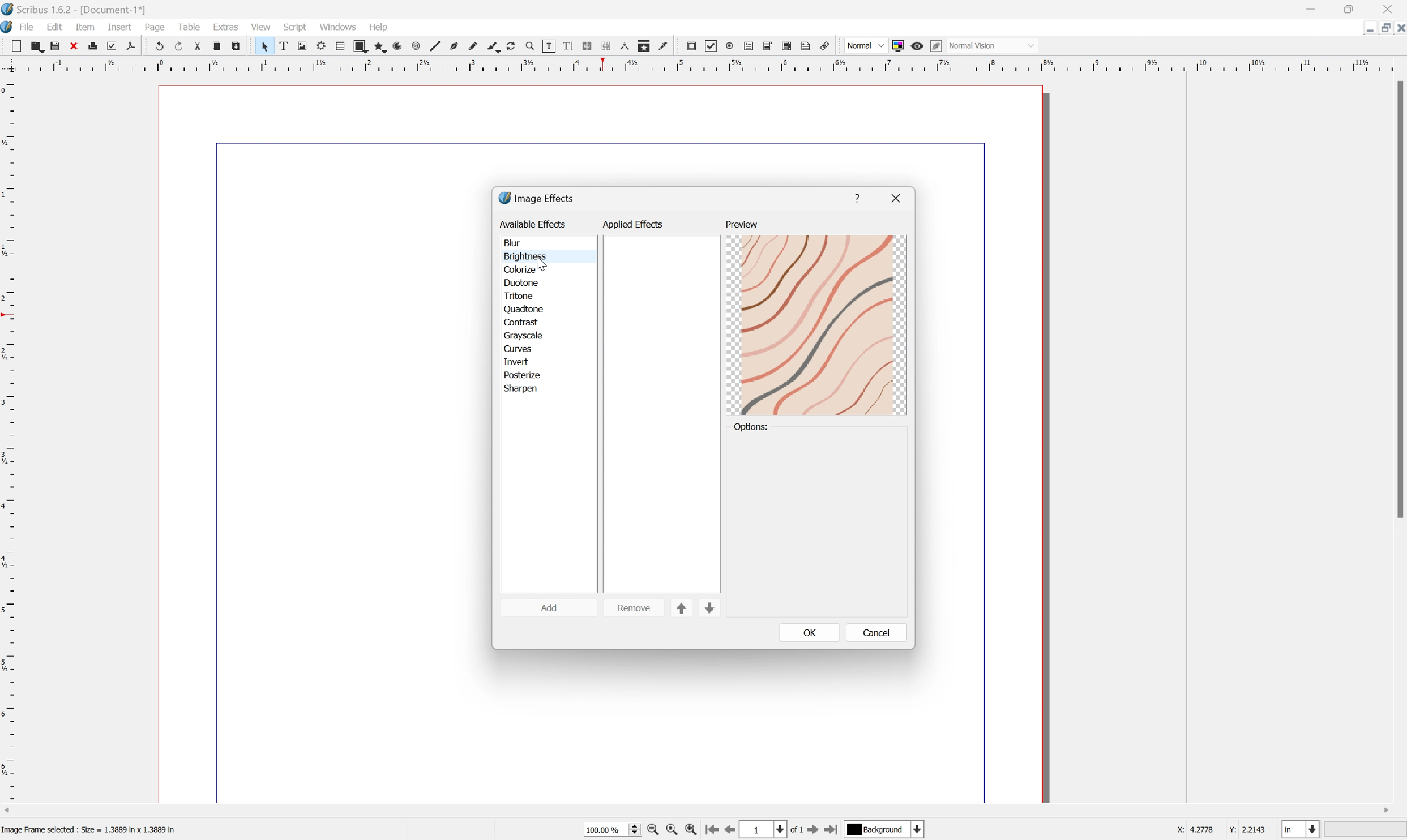  What do you see at coordinates (419, 45) in the screenshot?
I see `Spiral` at bounding box center [419, 45].